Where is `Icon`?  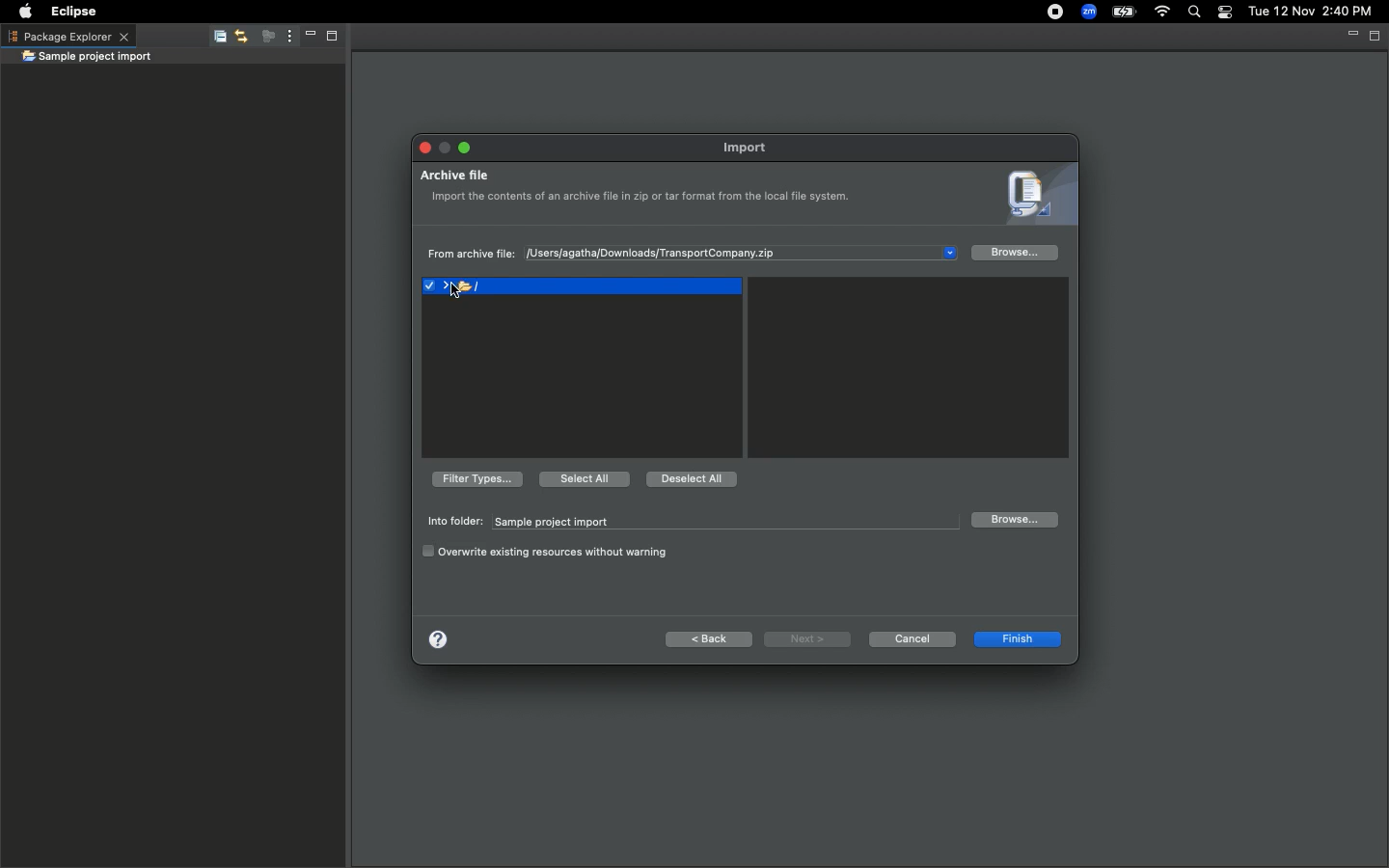 Icon is located at coordinates (1034, 197).